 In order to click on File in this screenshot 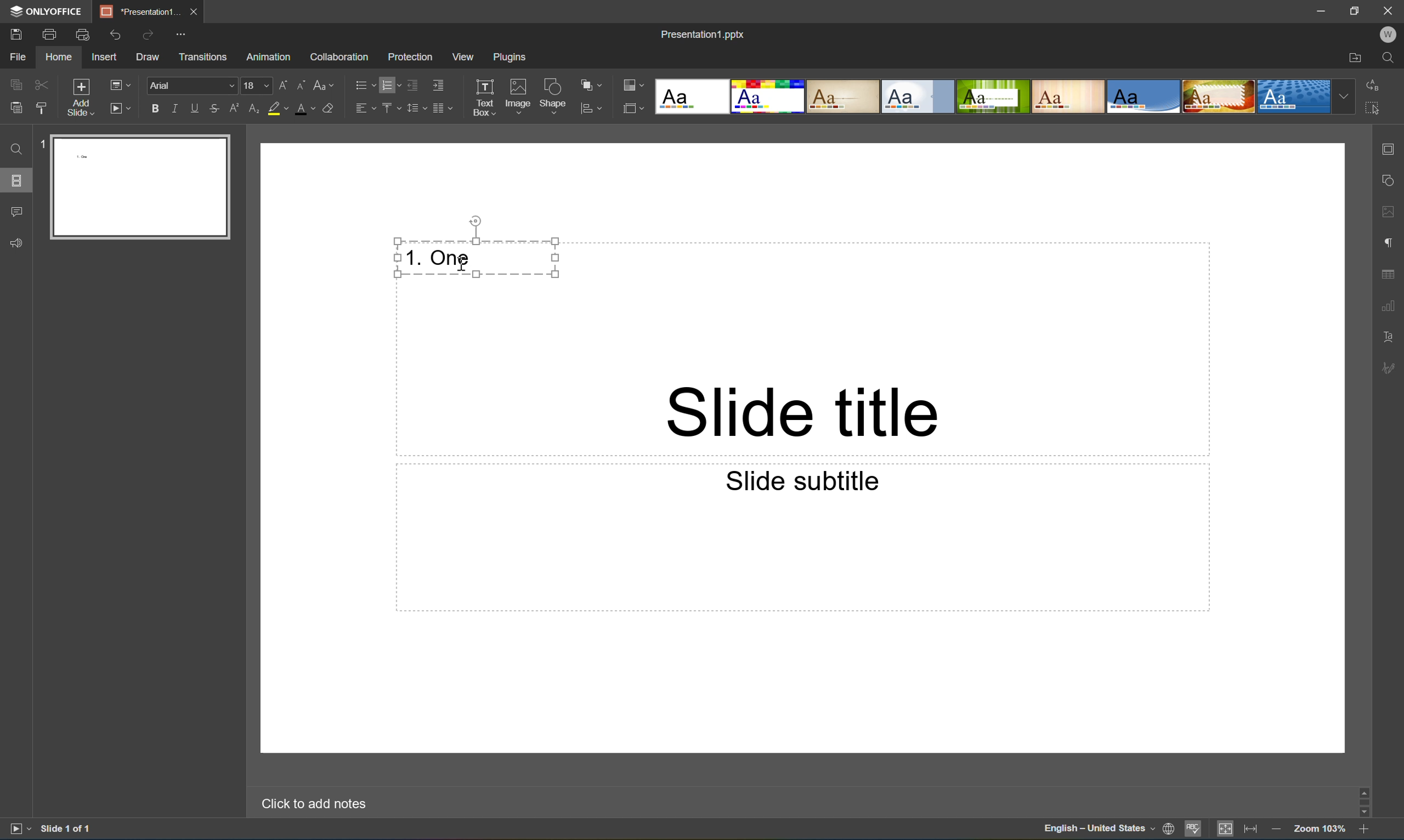, I will do `click(22, 56)`.